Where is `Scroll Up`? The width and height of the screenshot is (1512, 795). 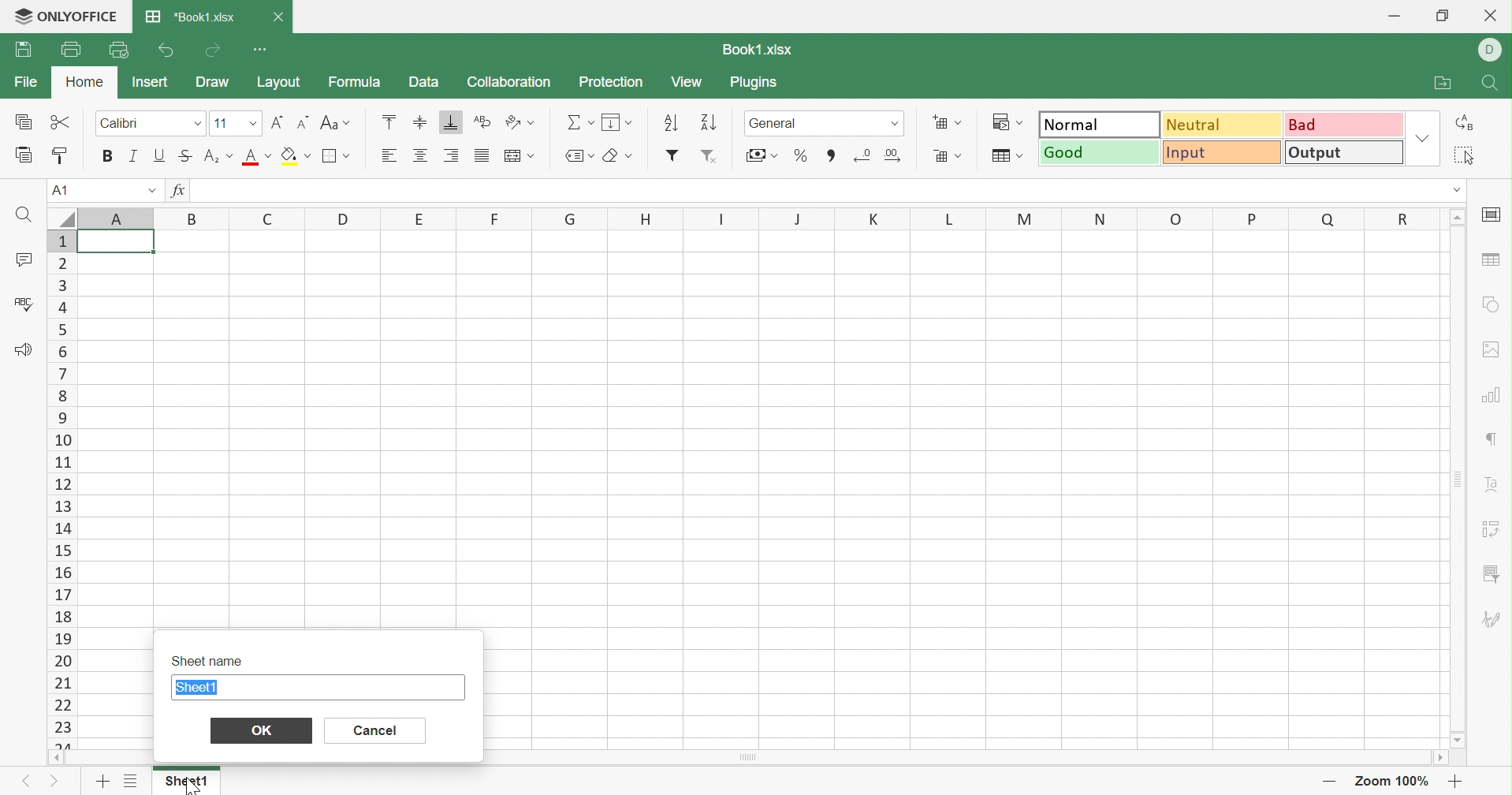
Scroll Up is located at coordinates (1458, 218).